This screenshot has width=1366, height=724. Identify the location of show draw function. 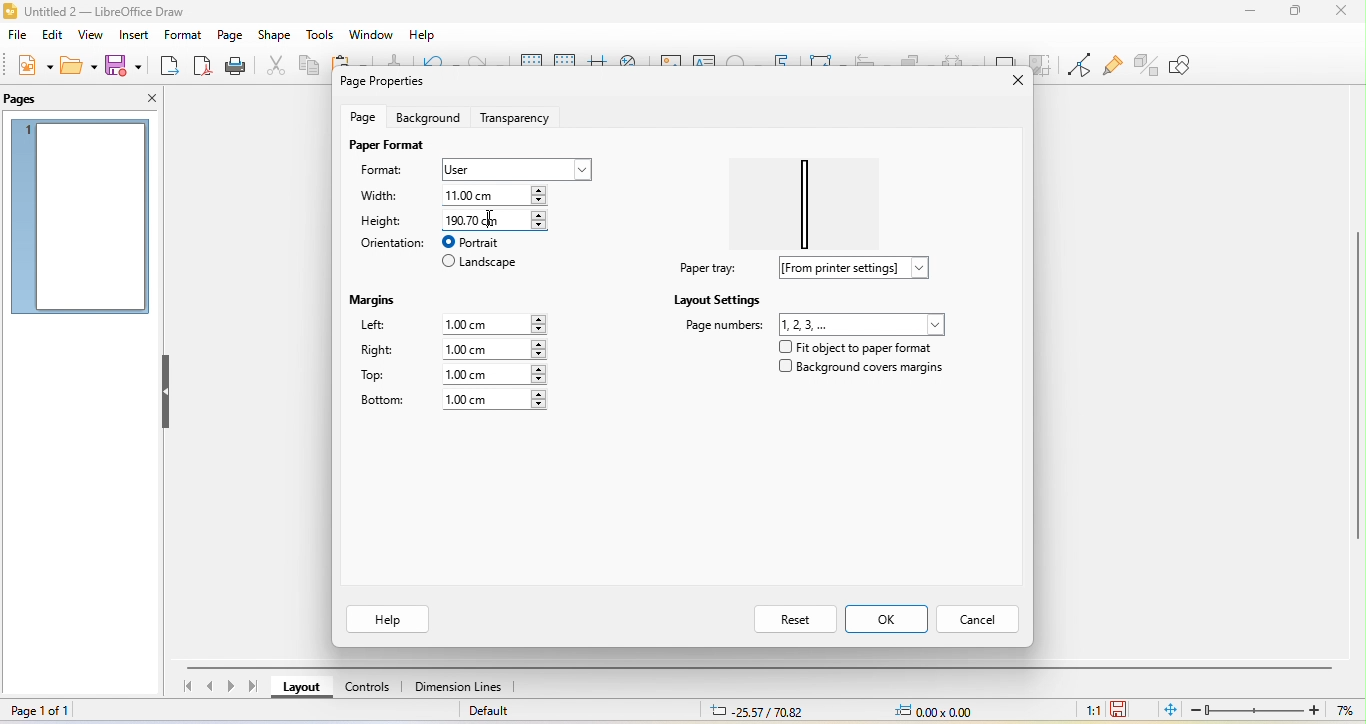
(1195, 65).